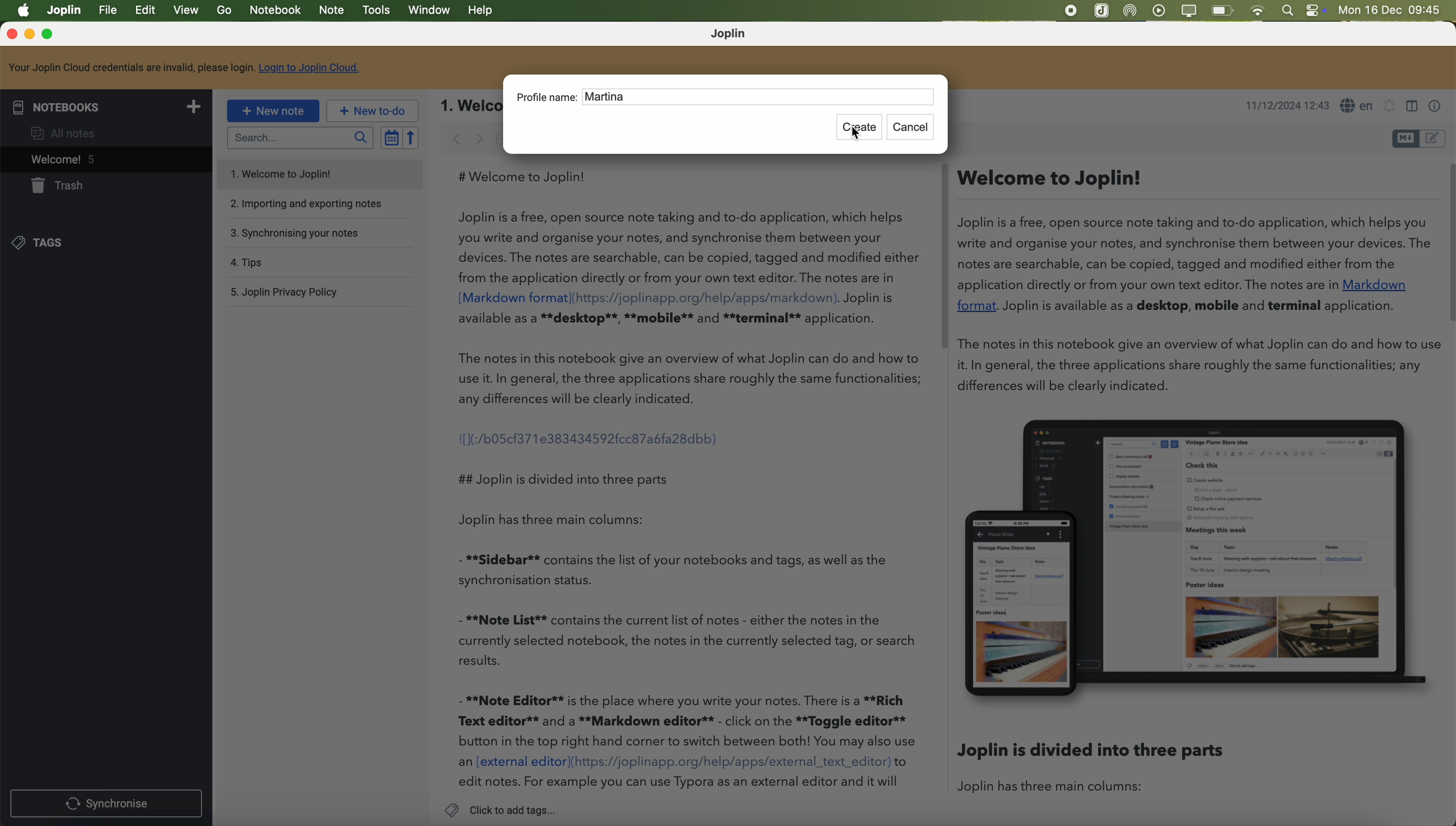 The width and height of the screenshot is (1456, 826). I want to click on stop recording, so click(1069, 11).